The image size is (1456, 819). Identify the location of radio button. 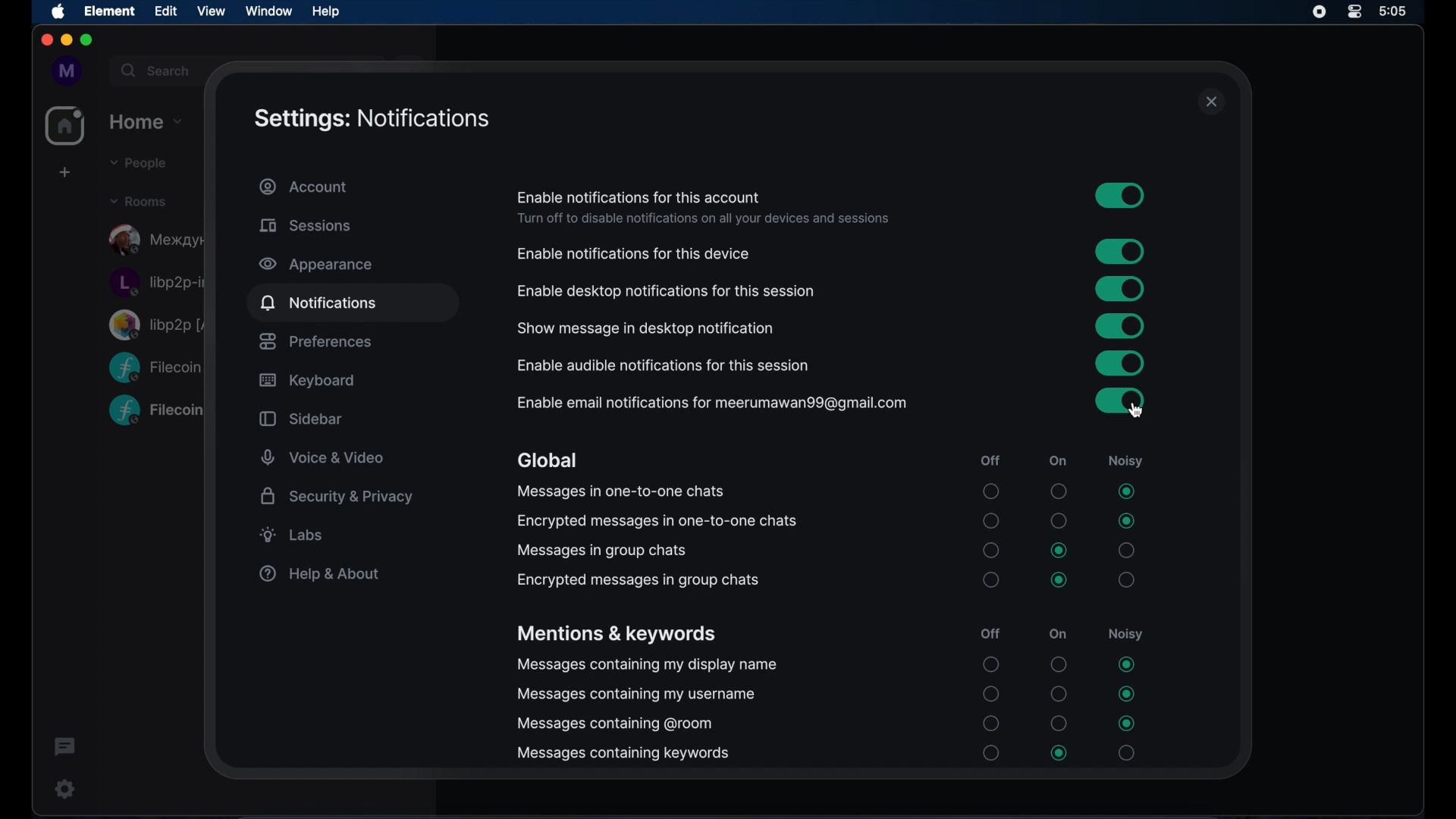
(992, 491).